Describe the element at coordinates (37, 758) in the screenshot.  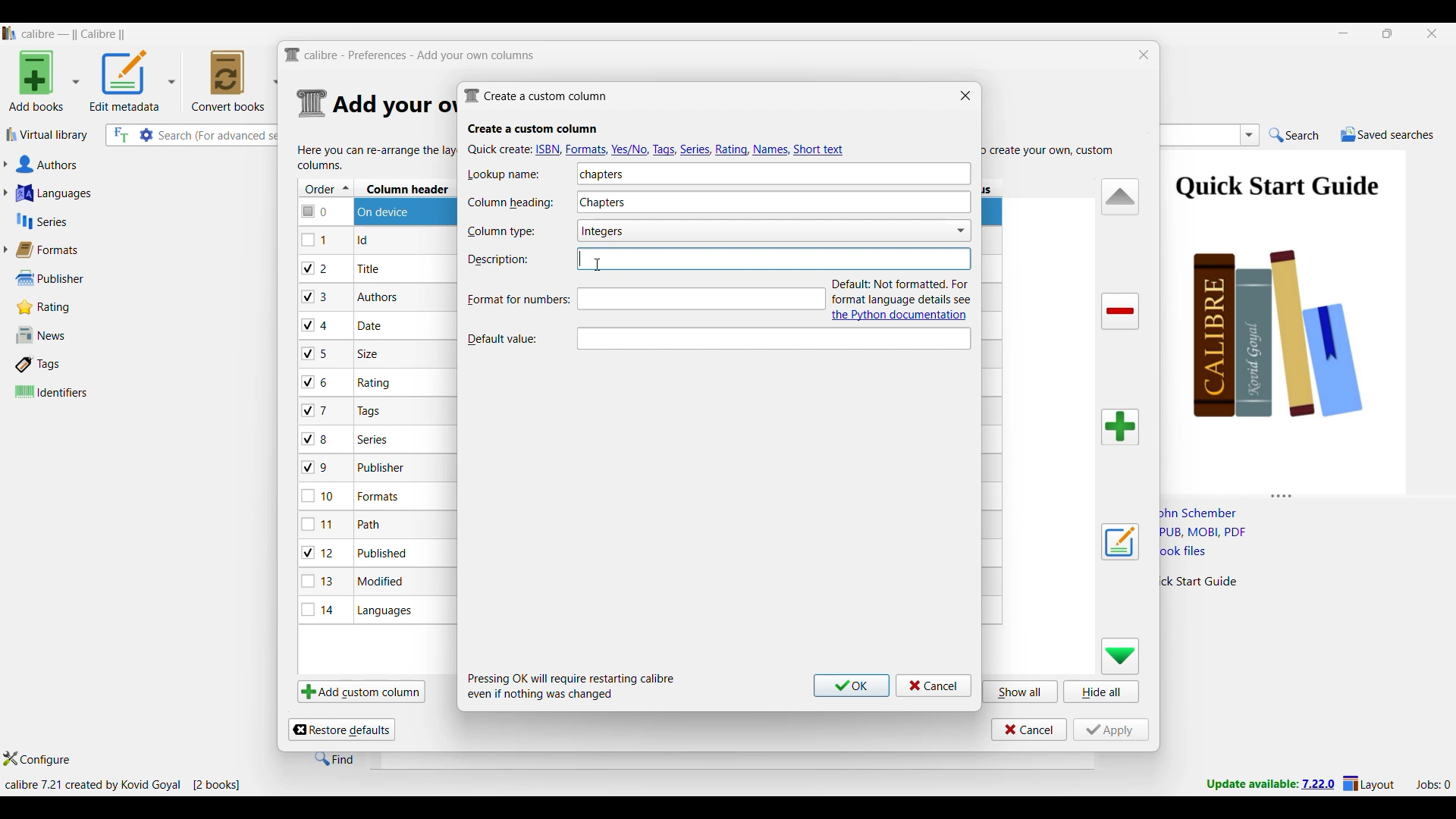
I see `Configure` at that location.